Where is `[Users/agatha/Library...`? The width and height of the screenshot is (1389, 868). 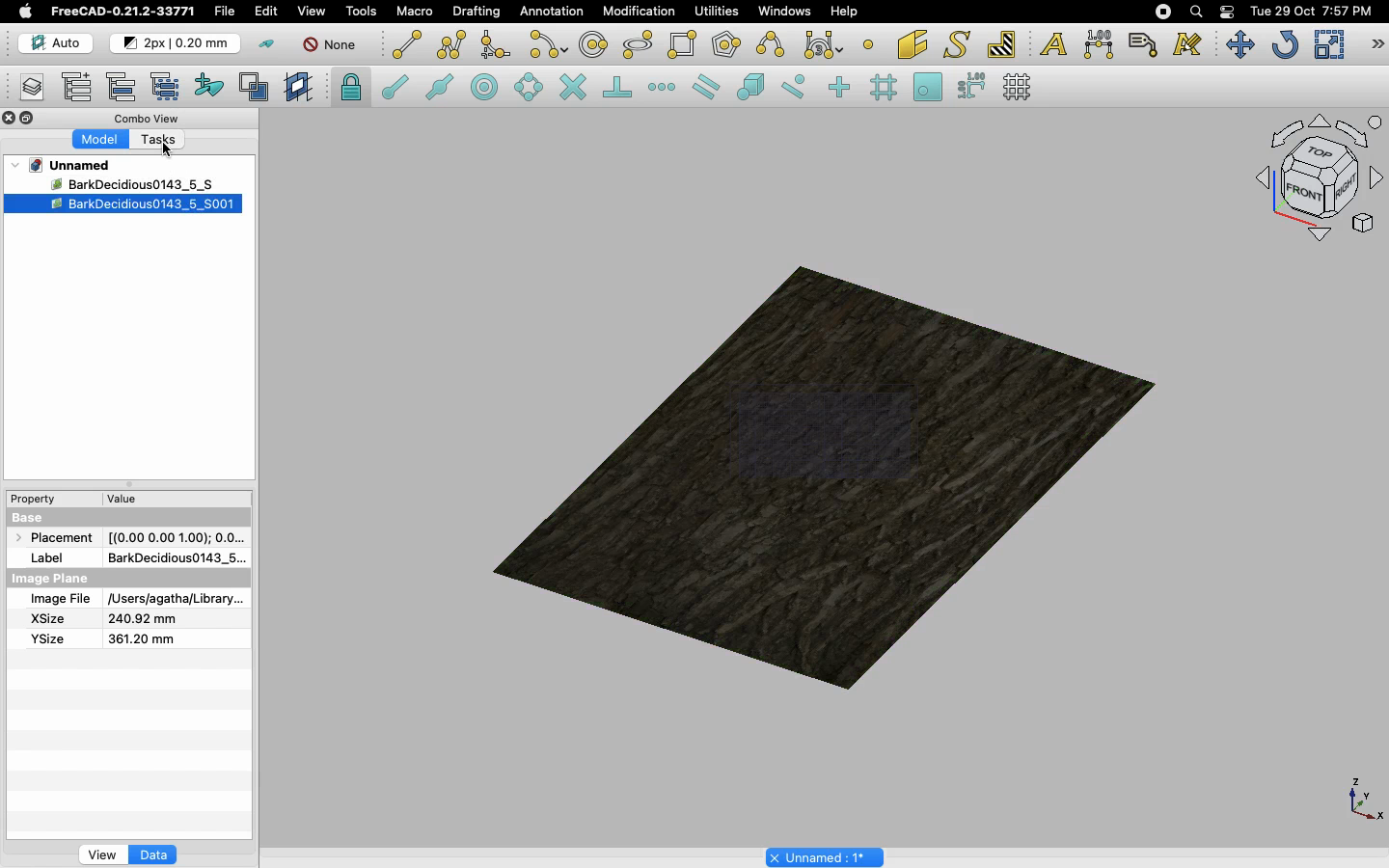 [Users/agatha/Library... is located at coordinates (172, 600).